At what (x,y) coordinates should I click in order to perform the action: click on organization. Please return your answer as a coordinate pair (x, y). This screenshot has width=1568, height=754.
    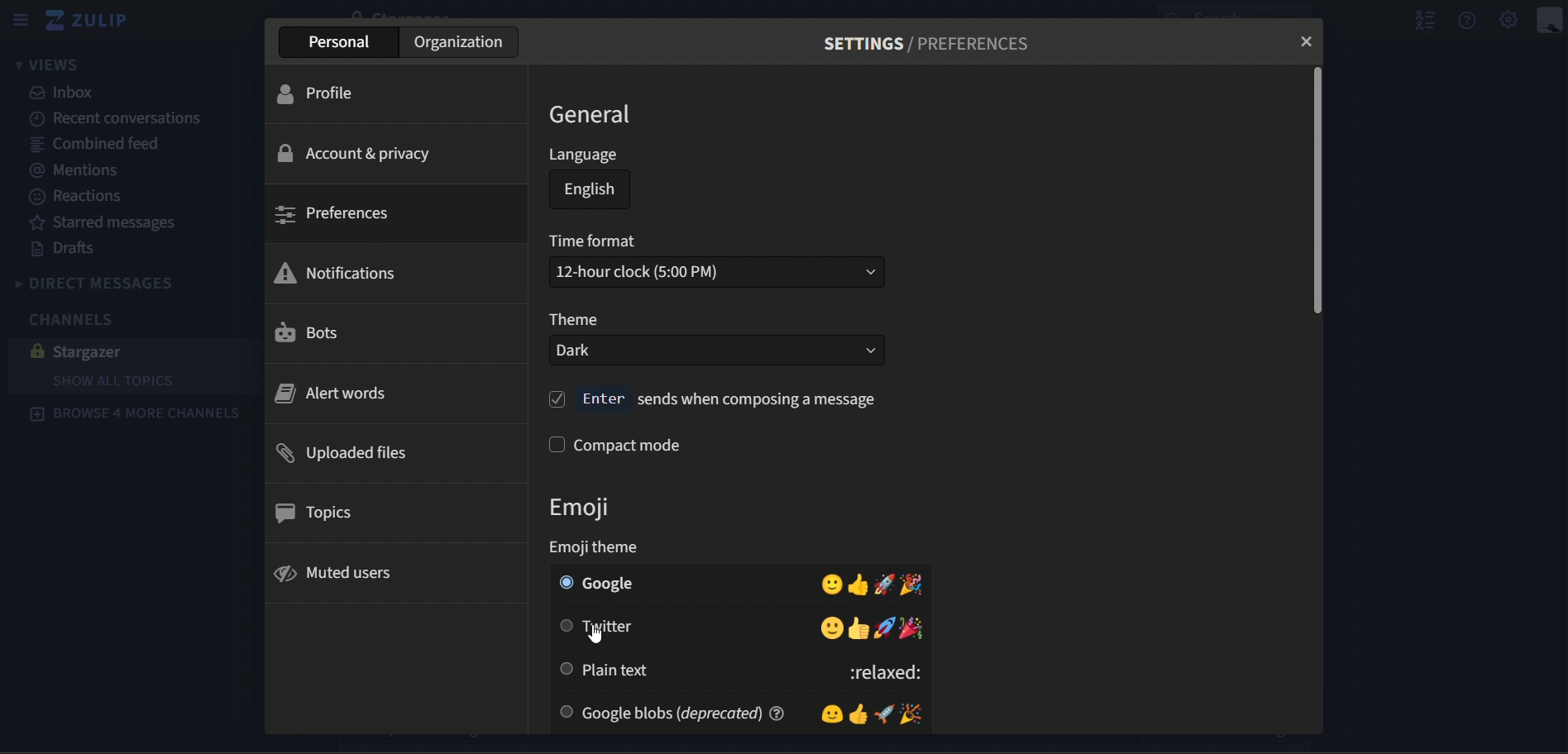
    Looking at the image, I should click on (460, 41).